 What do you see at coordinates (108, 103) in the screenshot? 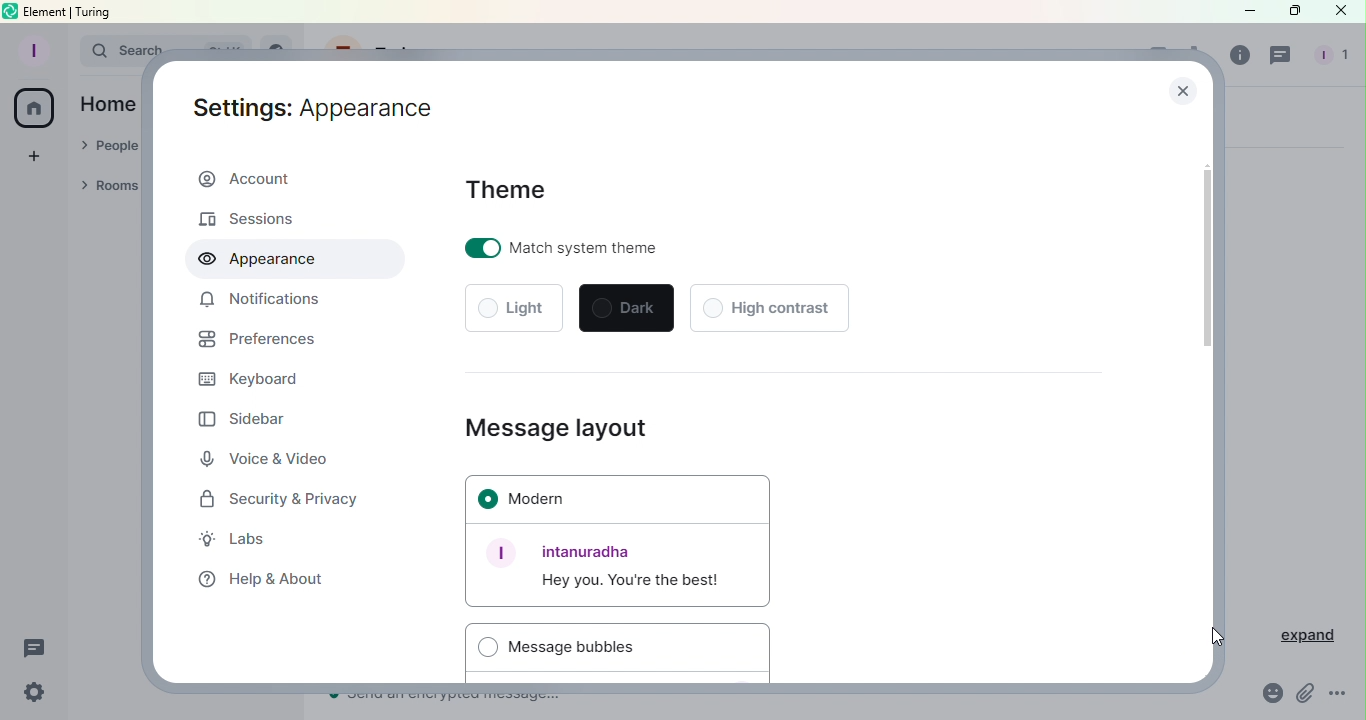
I see `Home` at bounding box center [108, 103].